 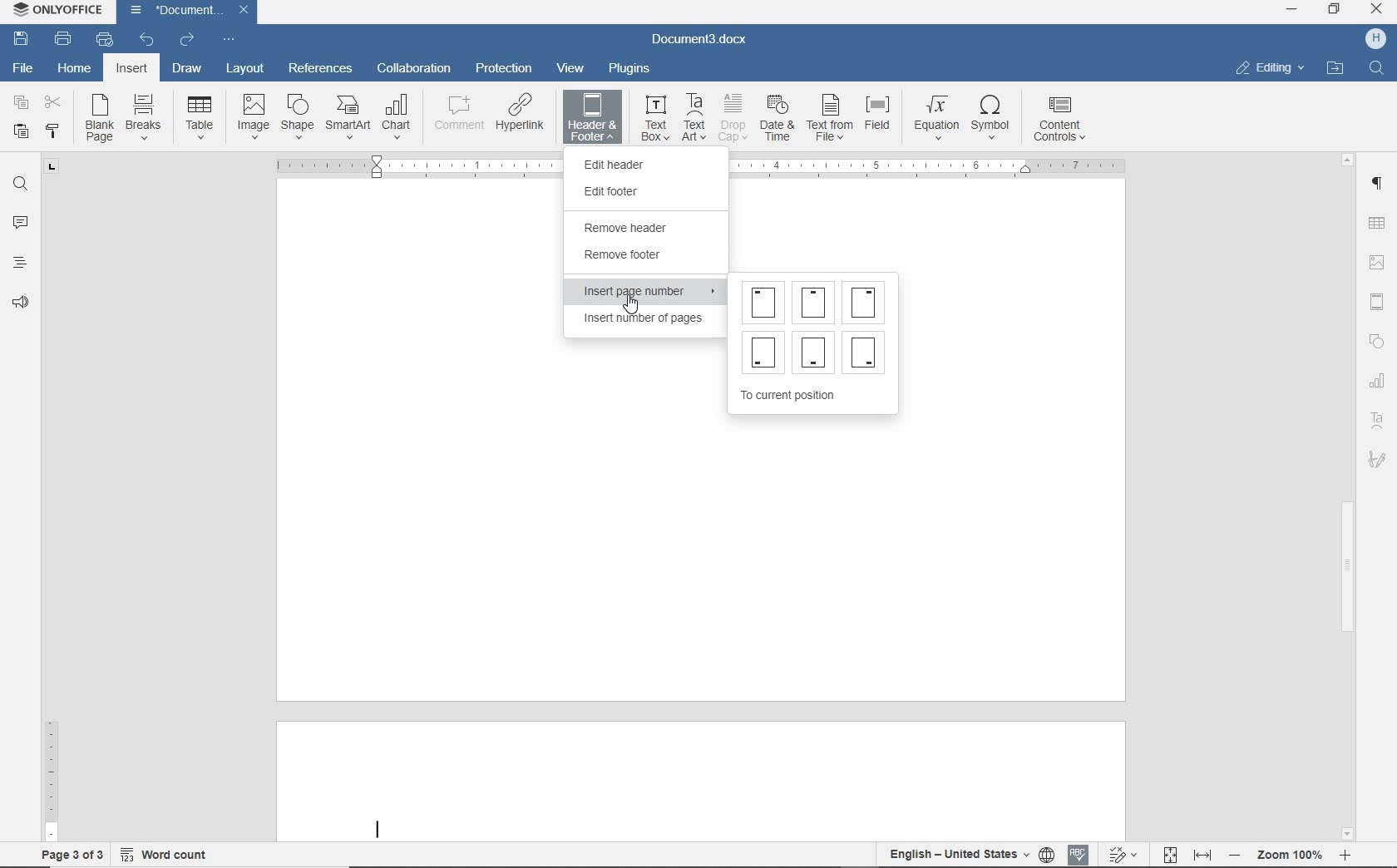 What do you see at coordinates (1169, 854) in the screenshot?
I see `FIT TO PAGE` at bounding box center [1169, 854].